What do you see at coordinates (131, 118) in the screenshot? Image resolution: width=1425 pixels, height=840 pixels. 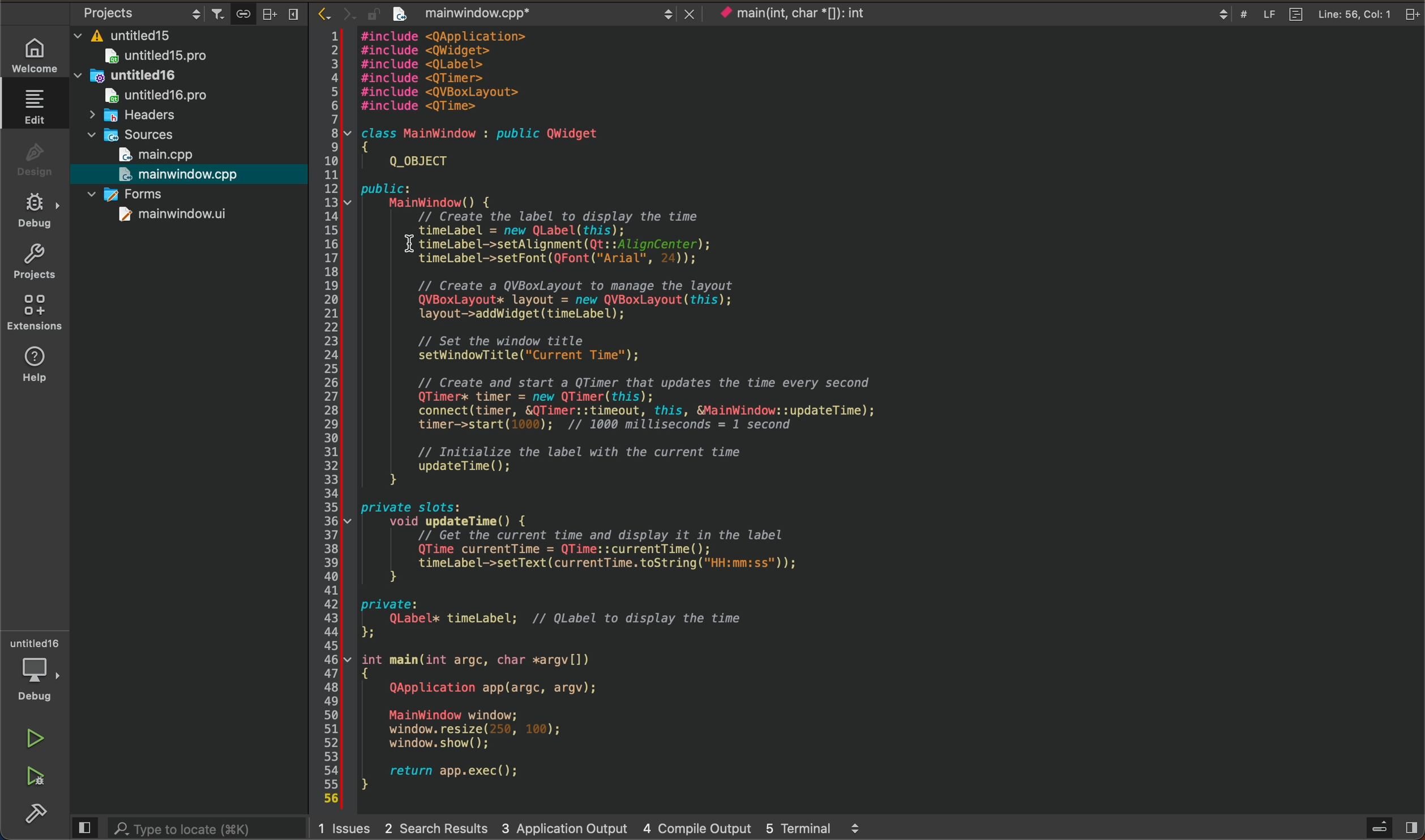 I see `headers` at bounding box center [131, 118].